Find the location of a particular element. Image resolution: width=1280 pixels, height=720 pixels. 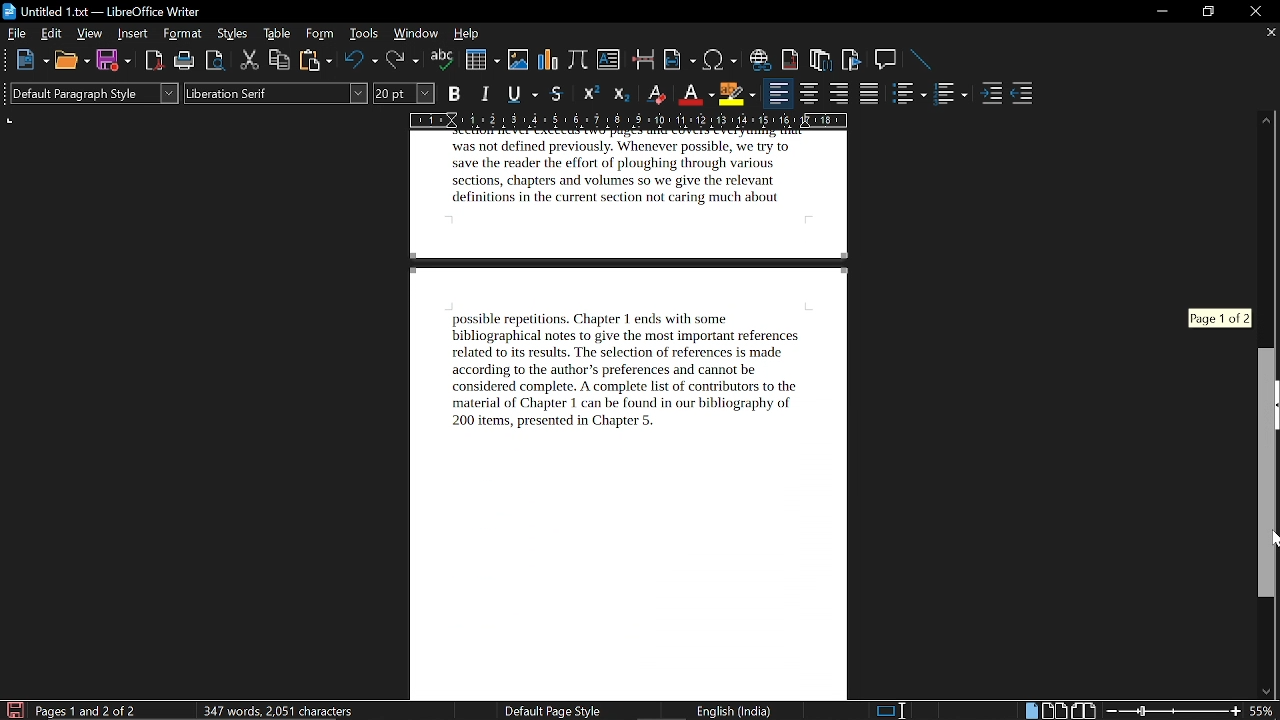

subscript is located at coordinates (624, 94).